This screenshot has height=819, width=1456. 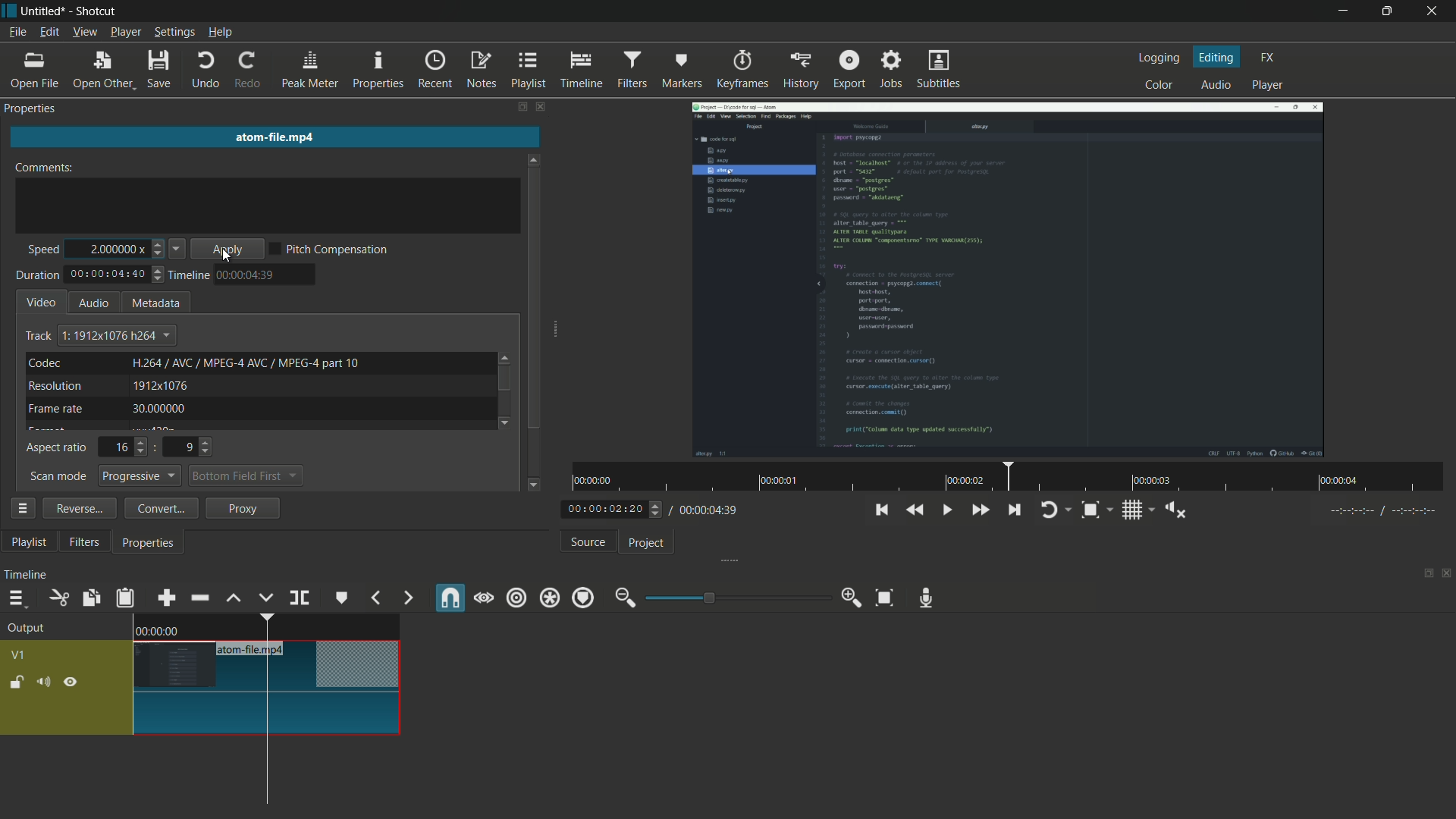 I want to click on proxy, so click(x=241, y=507).